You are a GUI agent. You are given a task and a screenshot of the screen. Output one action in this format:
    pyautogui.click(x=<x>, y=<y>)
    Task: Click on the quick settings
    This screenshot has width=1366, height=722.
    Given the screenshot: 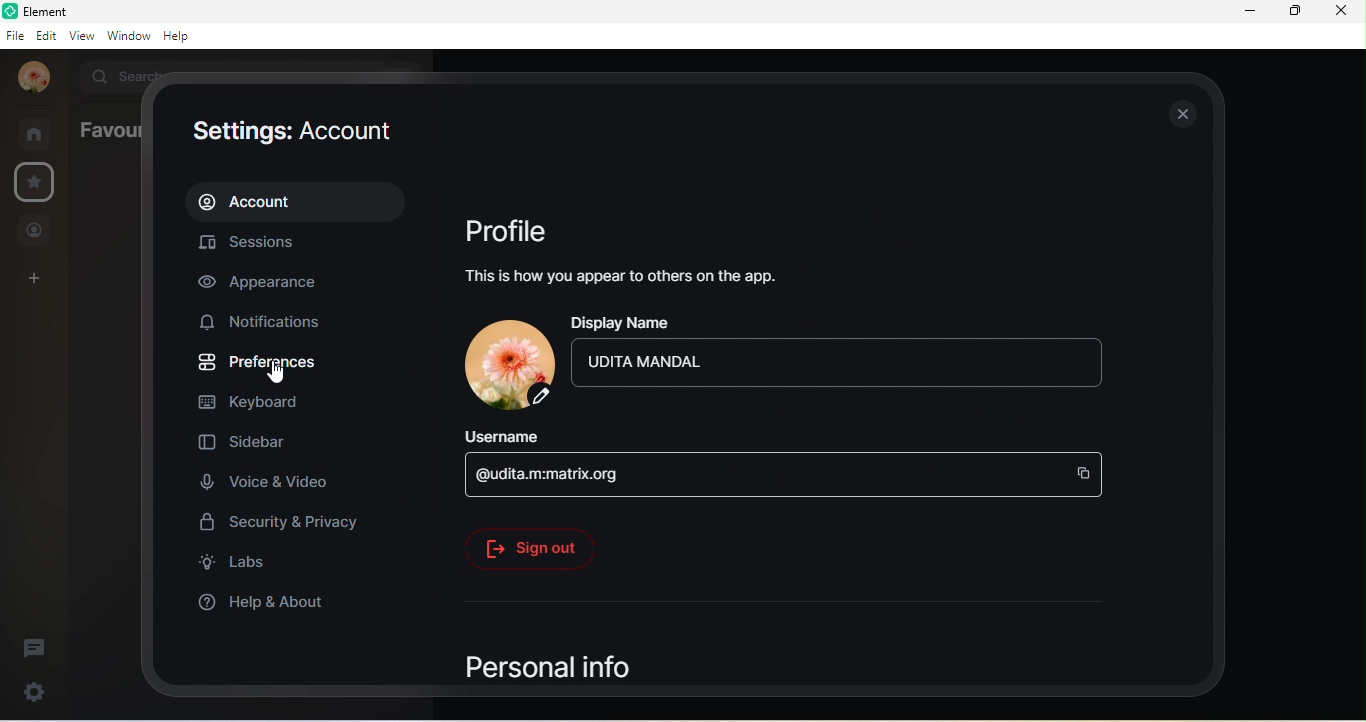 What is the action you would take?
    pyautogui.click(x=27, y=692)
    